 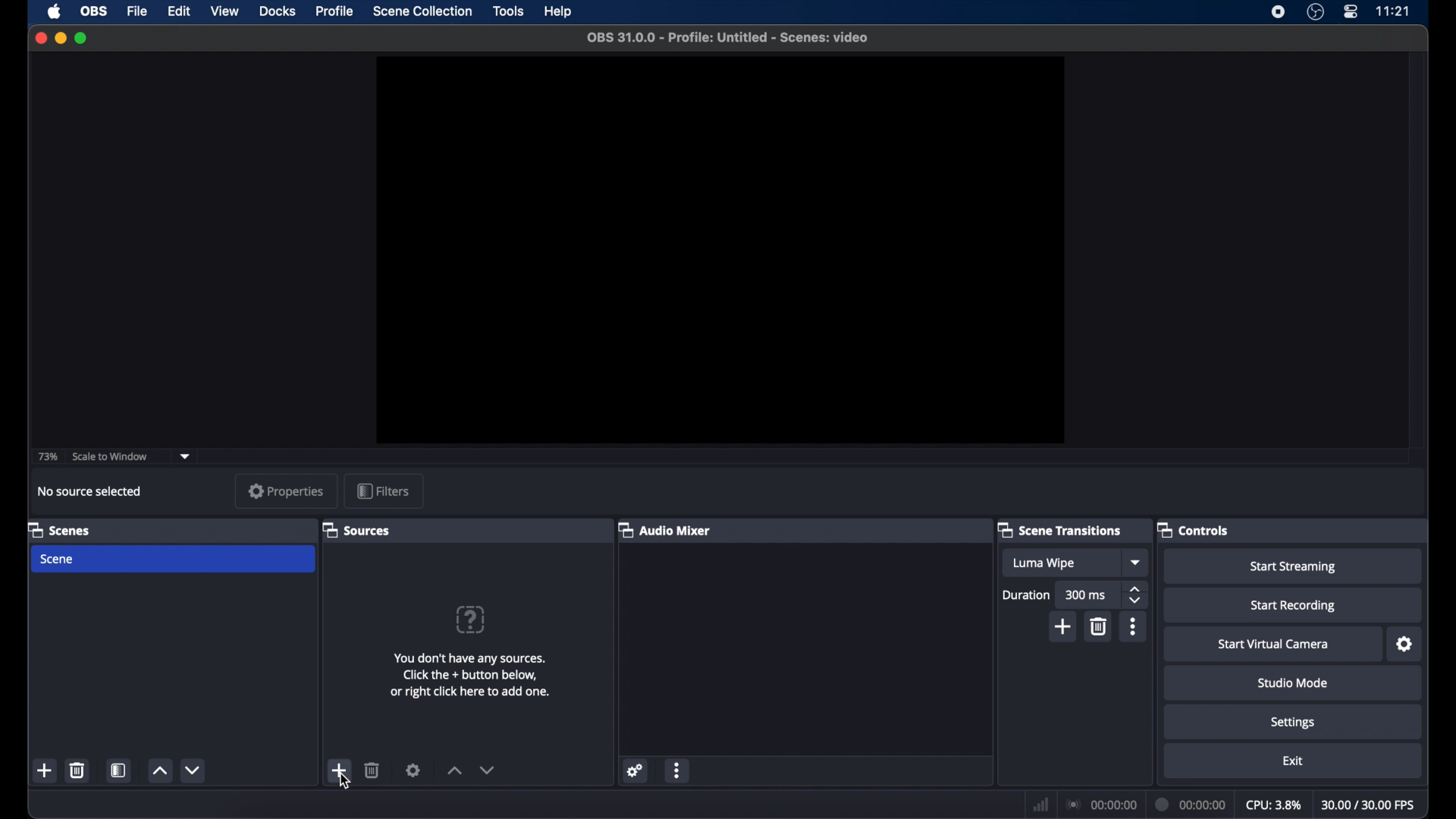 What do you see at coordinates (178, 12) in the screenshot?
I see `edit` at bounding box center [178, 12].